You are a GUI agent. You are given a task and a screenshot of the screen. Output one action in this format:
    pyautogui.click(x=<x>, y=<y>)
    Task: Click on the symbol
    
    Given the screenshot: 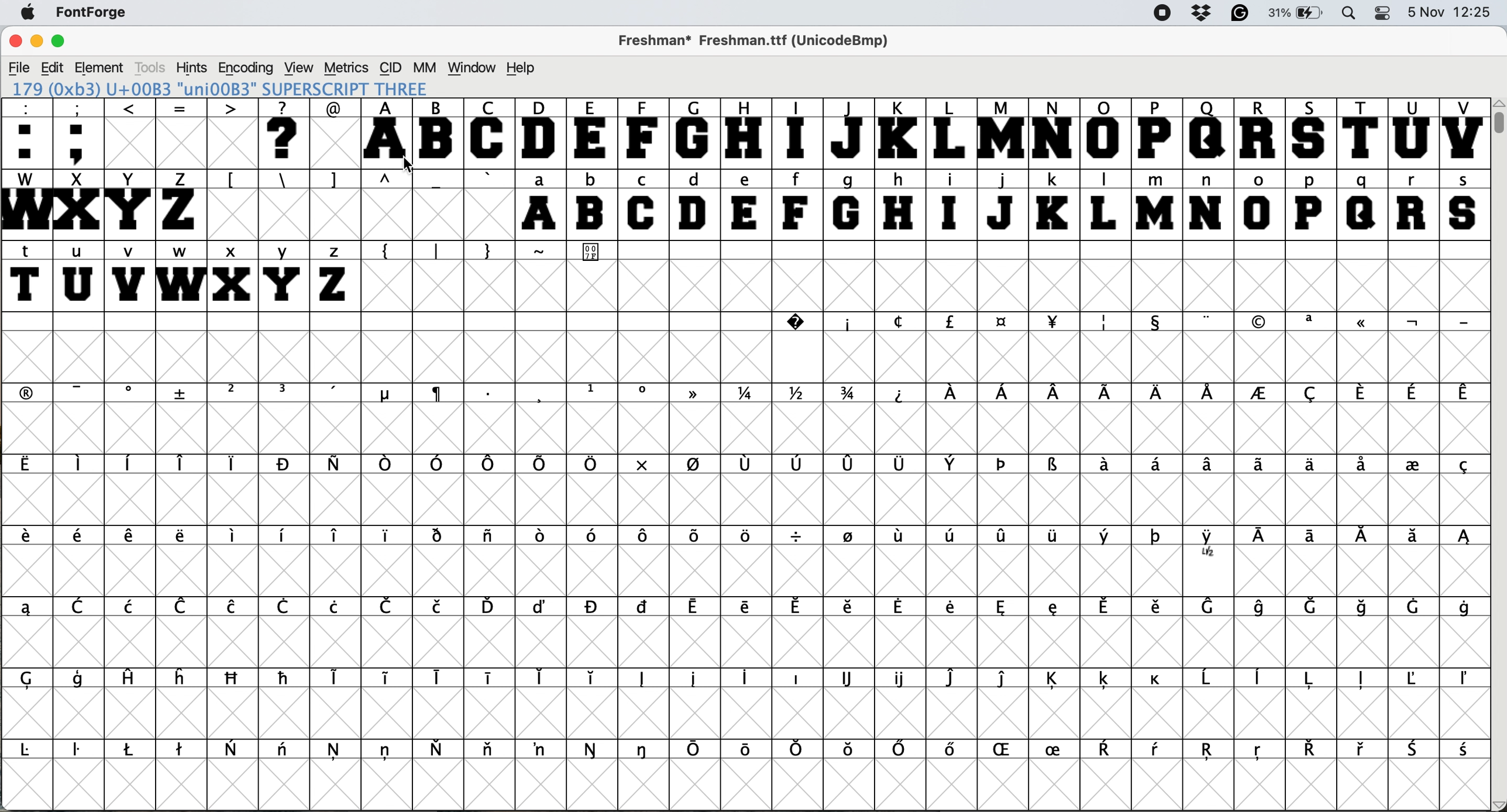 What is the action you would take?
    pyautogui.click(x=697, y=679)
    